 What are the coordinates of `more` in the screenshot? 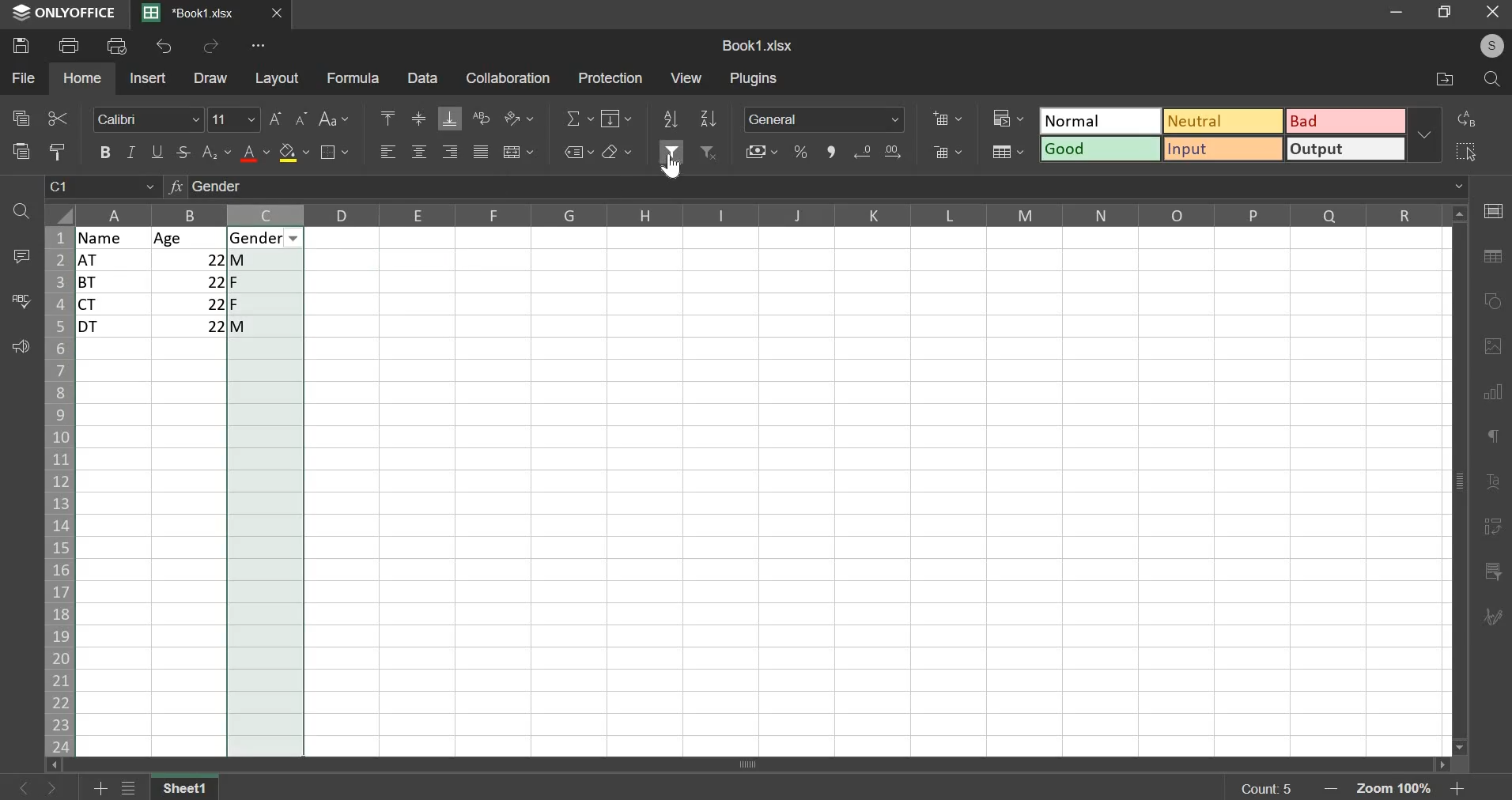 It's located at (1428, 134).